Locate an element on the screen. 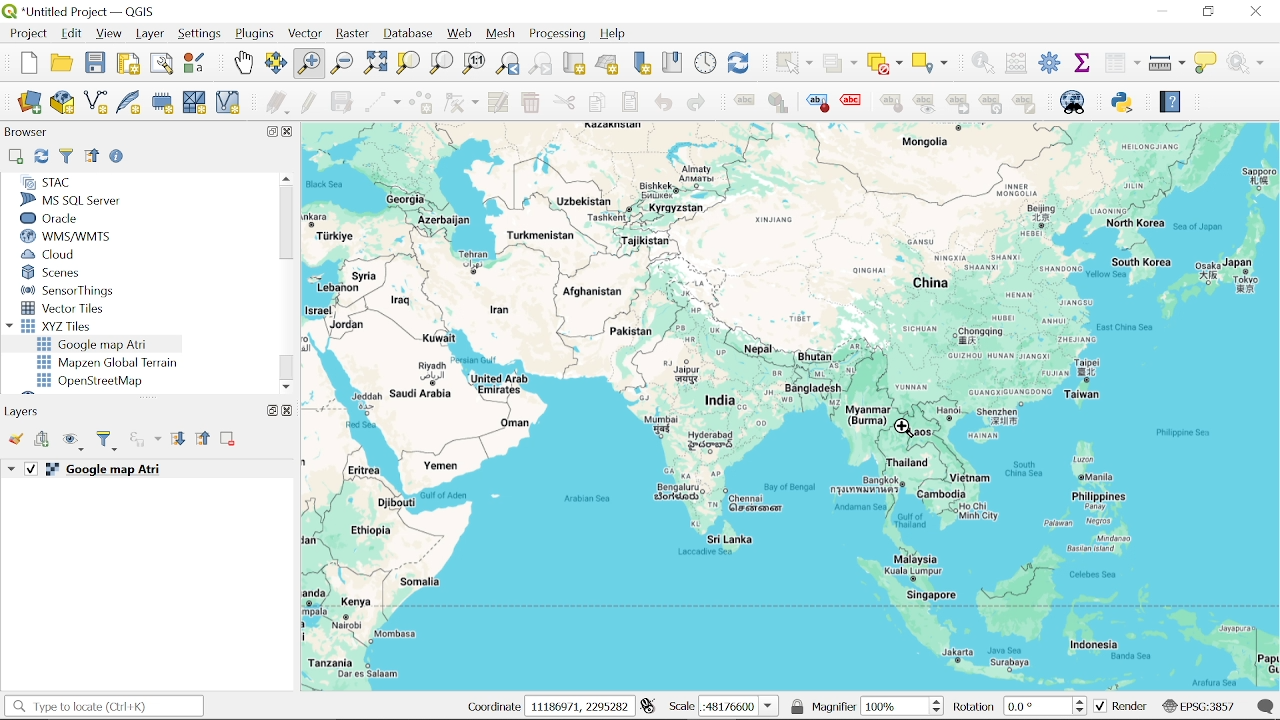 The height and width of the screenshot is (720, 1280). Rotate a label is located at coordinates (991, 105).